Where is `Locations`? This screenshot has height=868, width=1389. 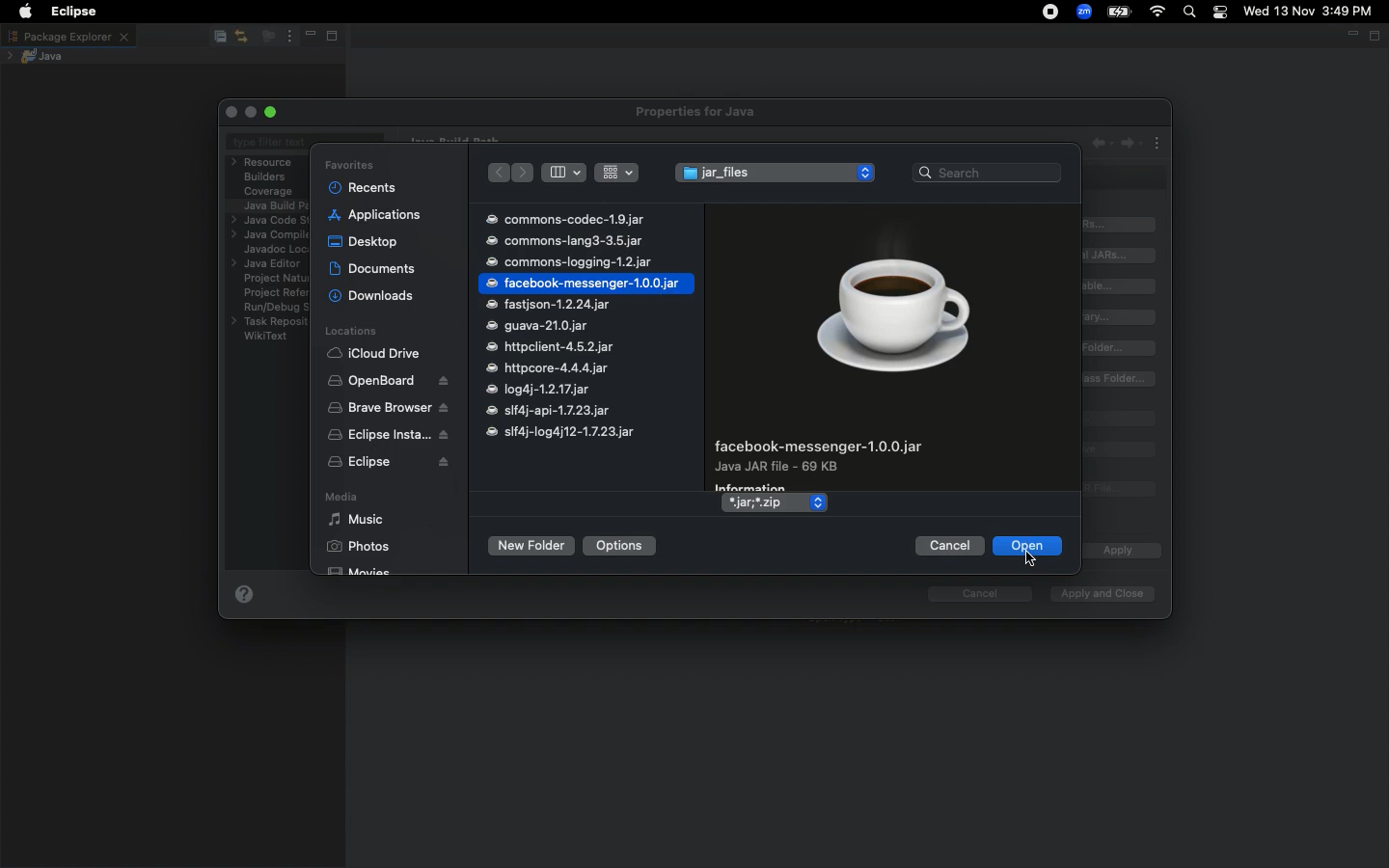 Locations is located at coordinates (350, 332).